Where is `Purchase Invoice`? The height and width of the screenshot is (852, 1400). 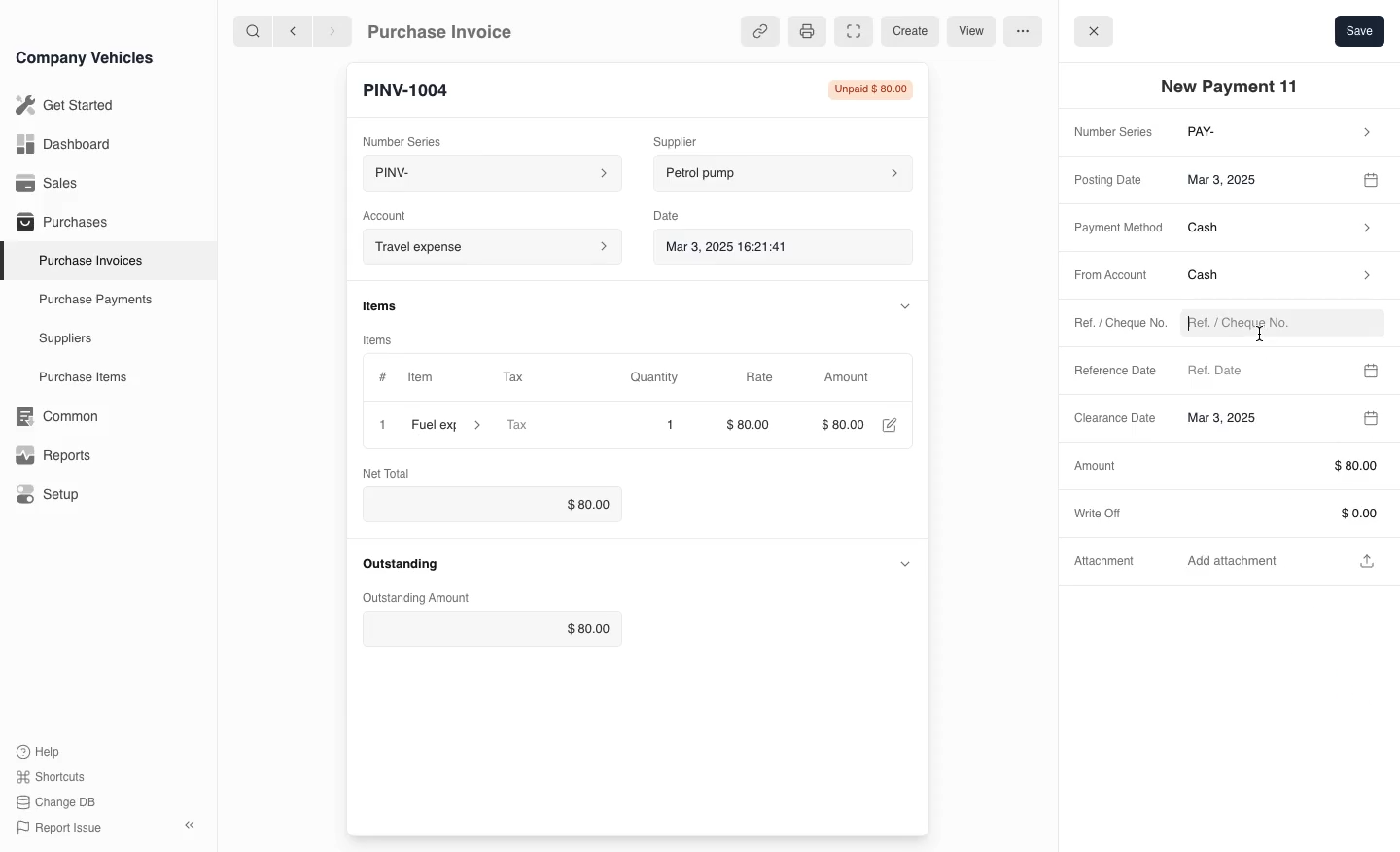
Purchase Invoice is located at coordinates (453, 30).